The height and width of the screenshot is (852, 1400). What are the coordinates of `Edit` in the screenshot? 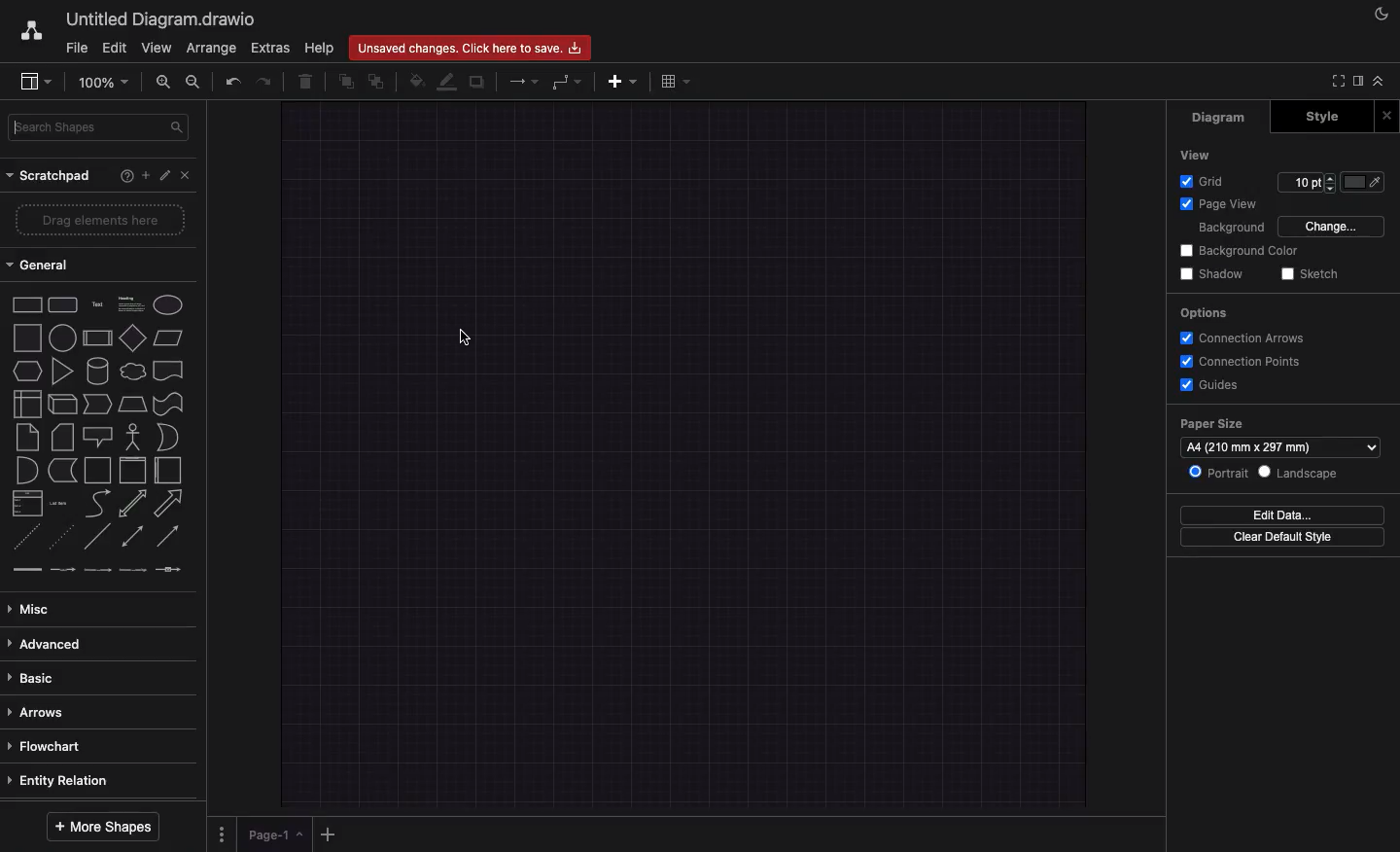 It's located at (116, 47).